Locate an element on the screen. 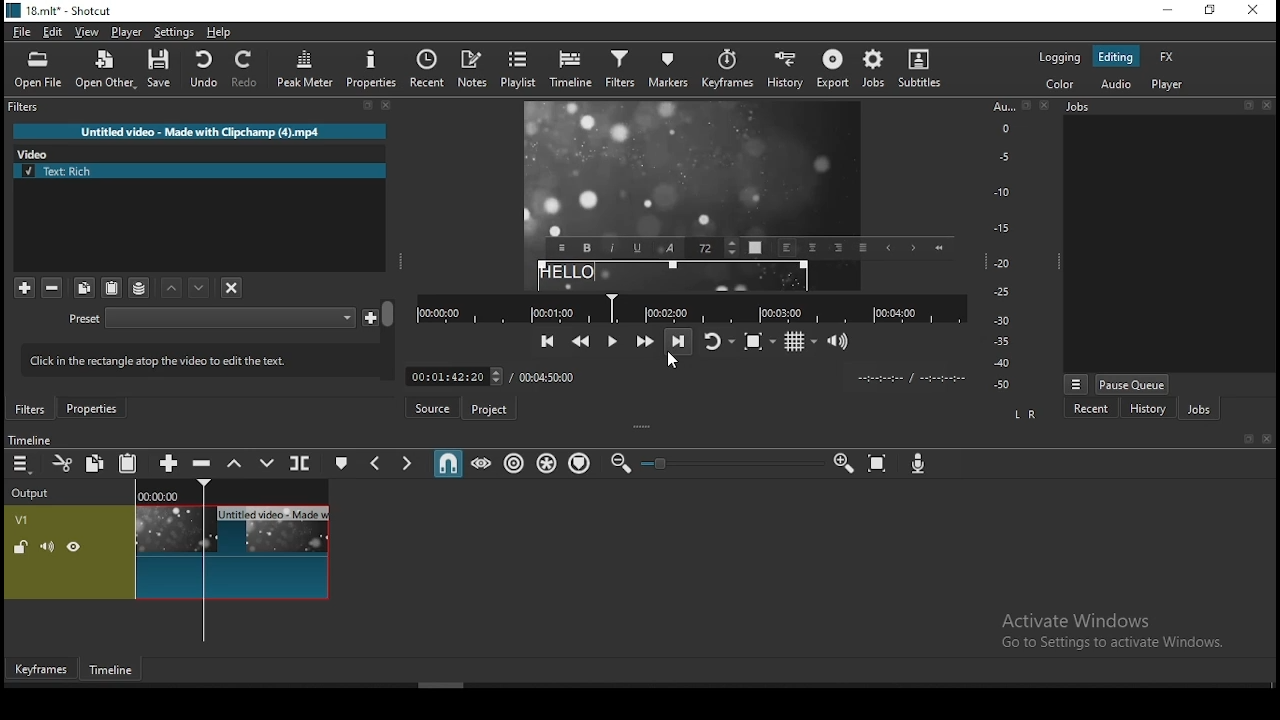 Image resolution: width=1280 pixels, height=720 pixels. Previous is located at coordinates (888, 248).